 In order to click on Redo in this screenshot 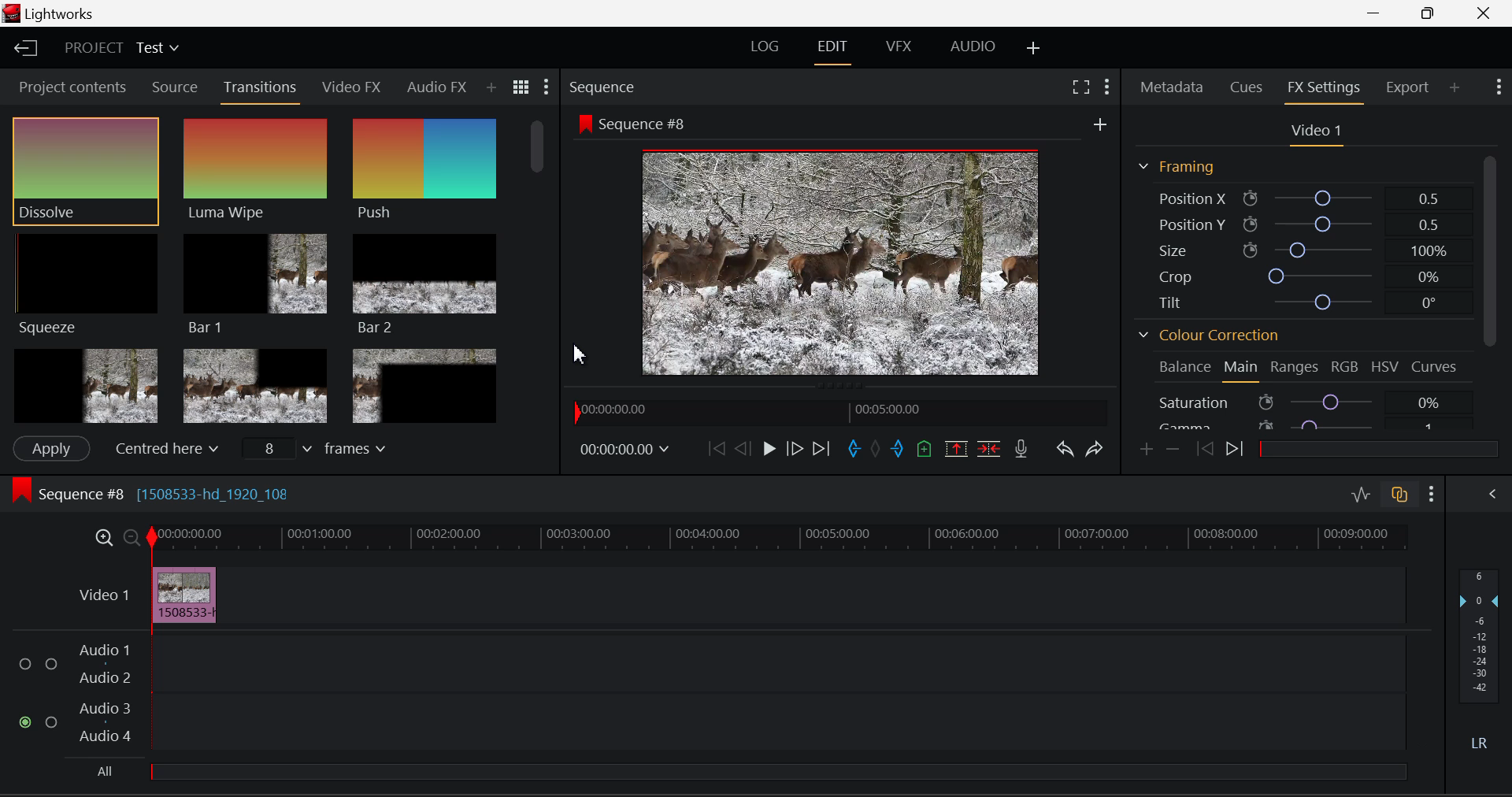, I will do `click(1095, 450)`.